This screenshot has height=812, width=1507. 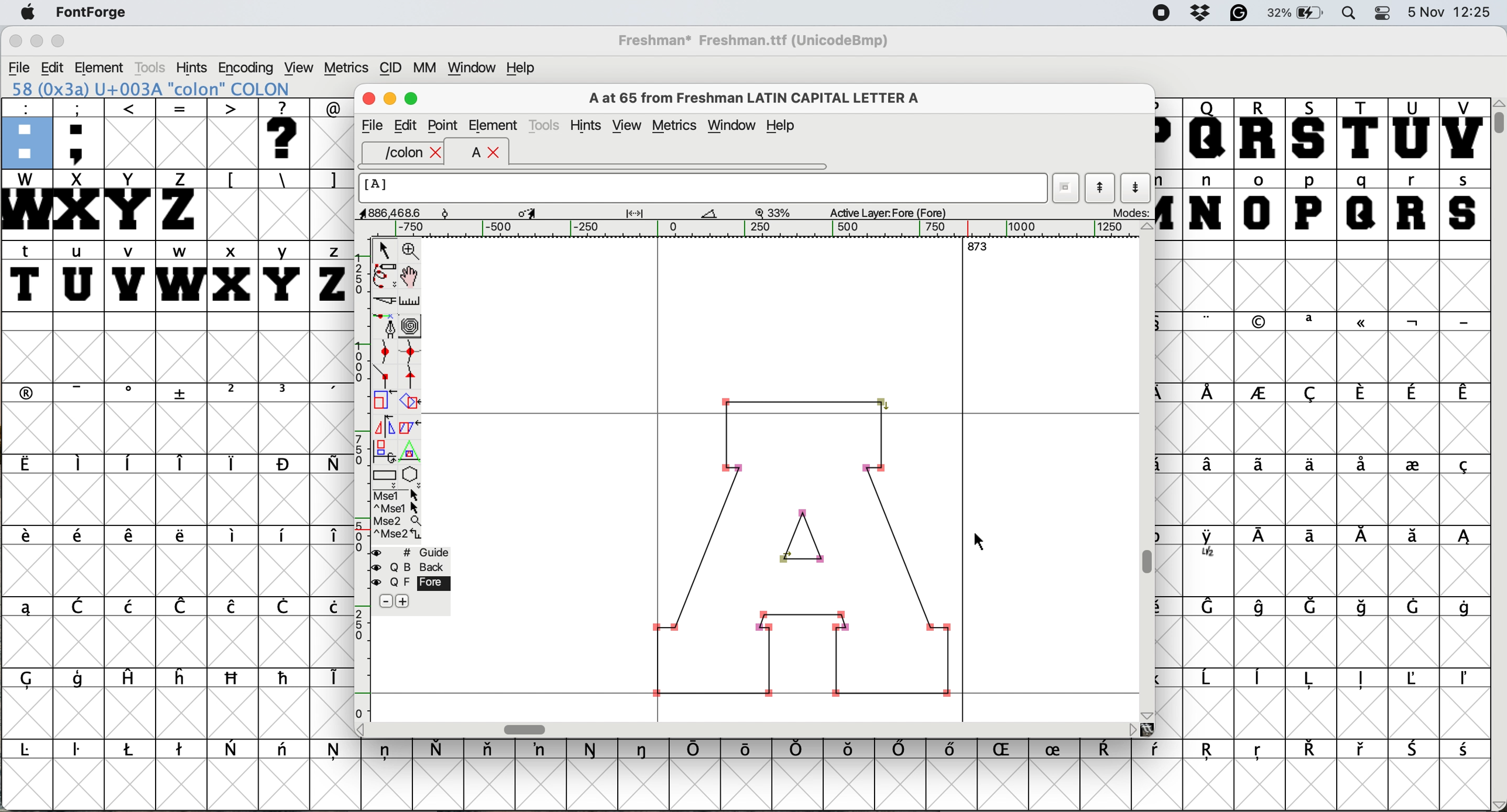 What do you see at coordinates (444, 124) in the screenshot?
I see `point` at bounding box center [444, 124].